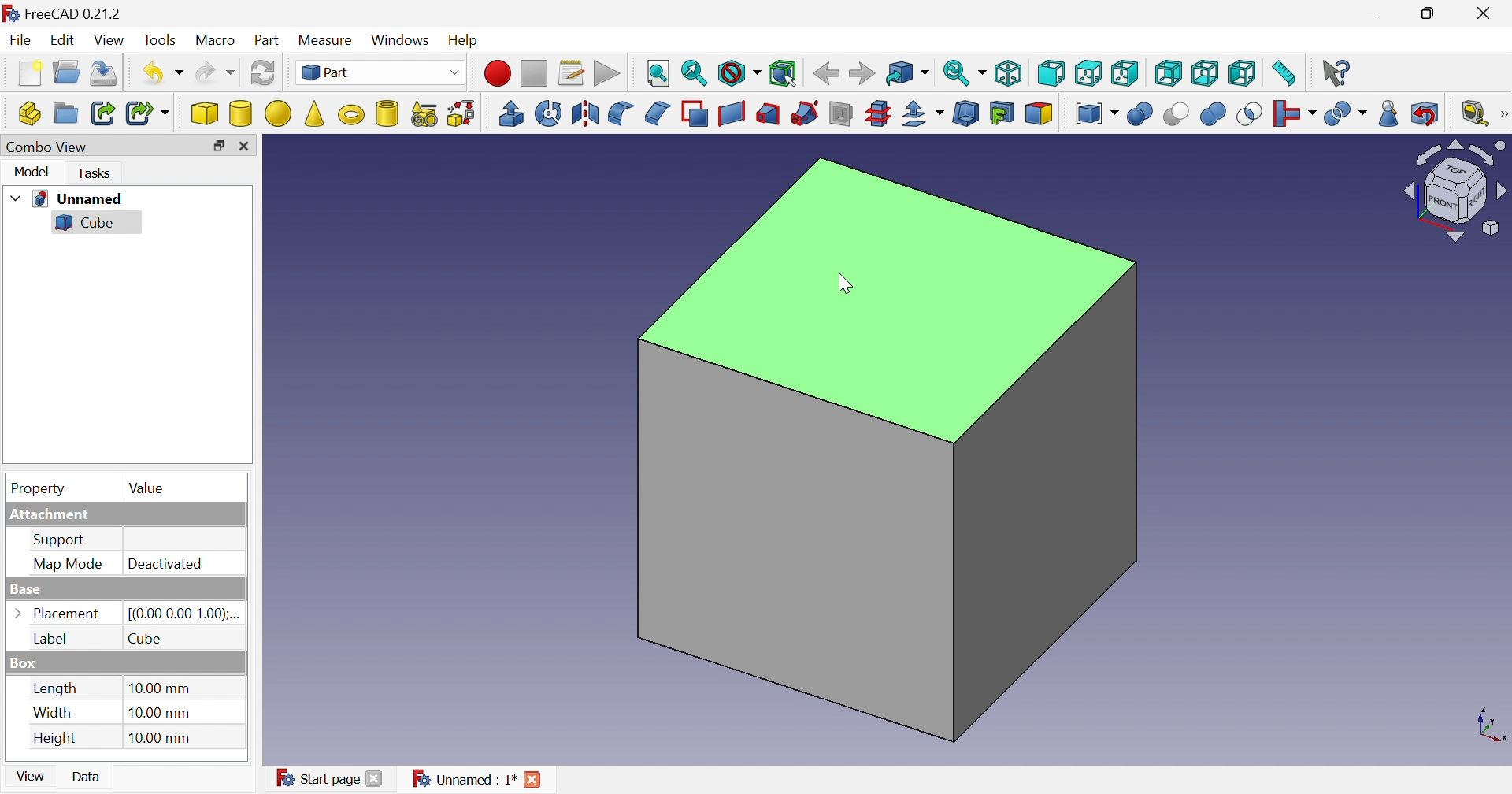 The height and width of the screenshot is (794, 1512). Describe the element at coordinates (1125, 72) in the screenshot. I see `Right` at that location.